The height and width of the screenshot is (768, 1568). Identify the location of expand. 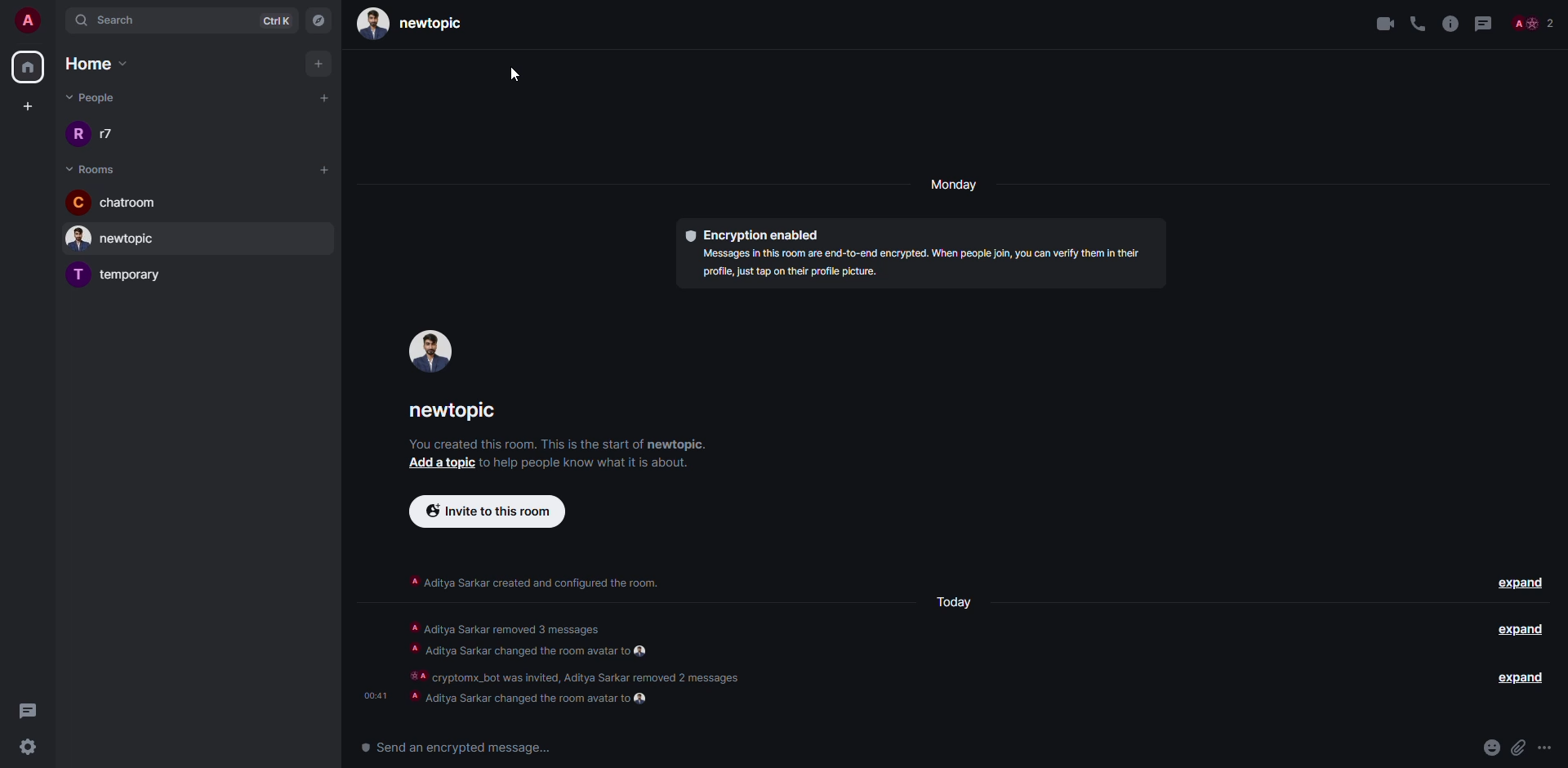
(1520, 628).